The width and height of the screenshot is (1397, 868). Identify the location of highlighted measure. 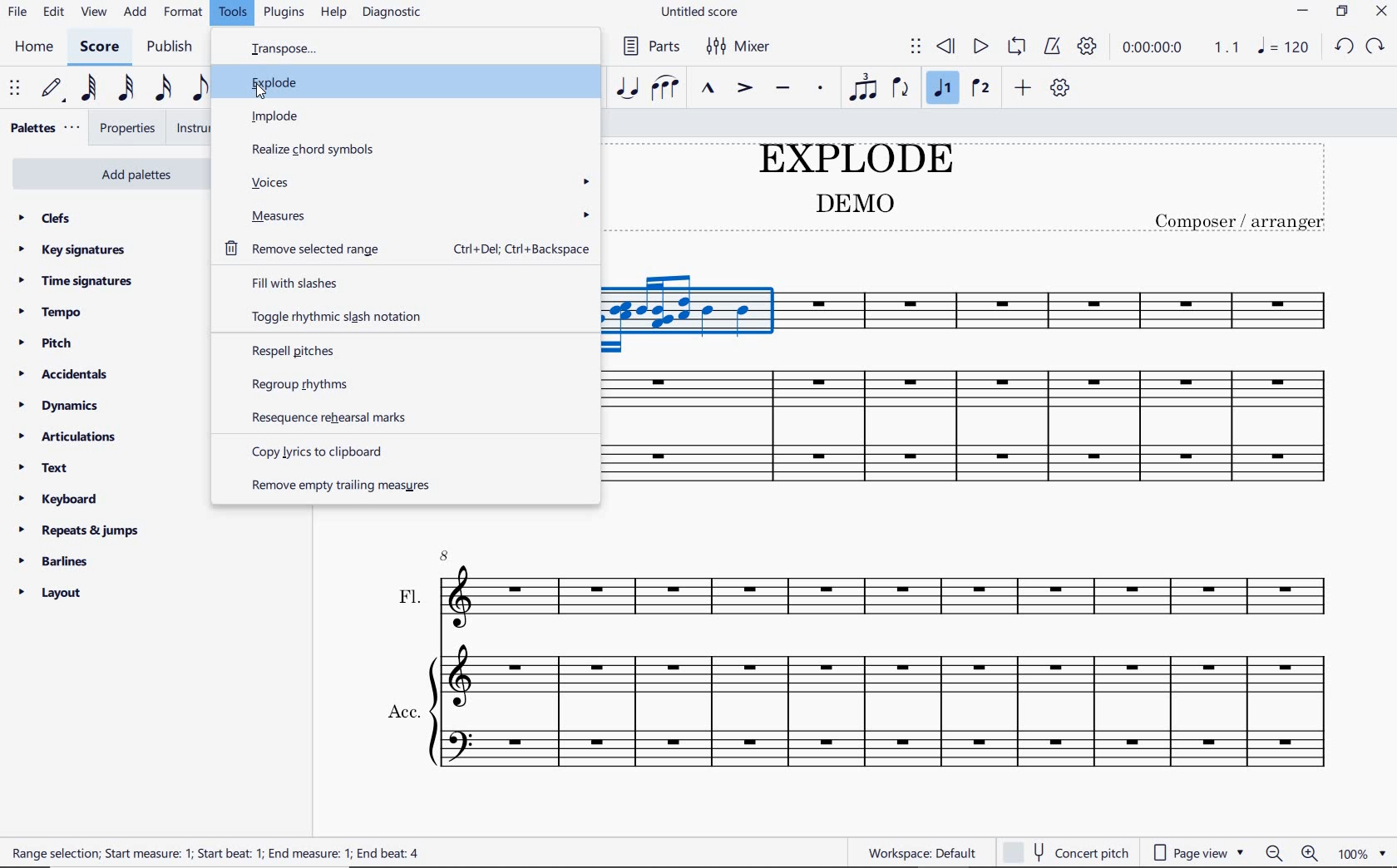
(693, 315).